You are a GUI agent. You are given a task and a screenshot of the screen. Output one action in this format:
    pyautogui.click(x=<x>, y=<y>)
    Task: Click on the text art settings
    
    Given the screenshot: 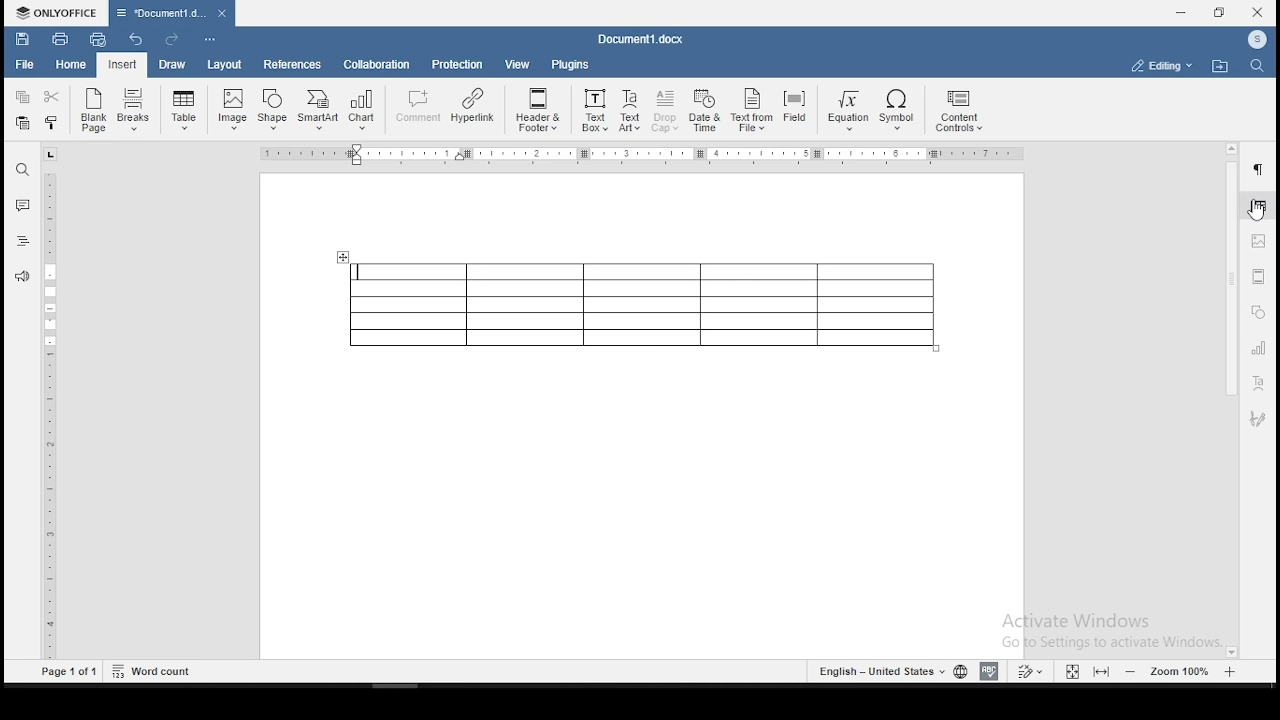 What is the action you would take?
    pyautogui.click(x=1258, y=385)
    